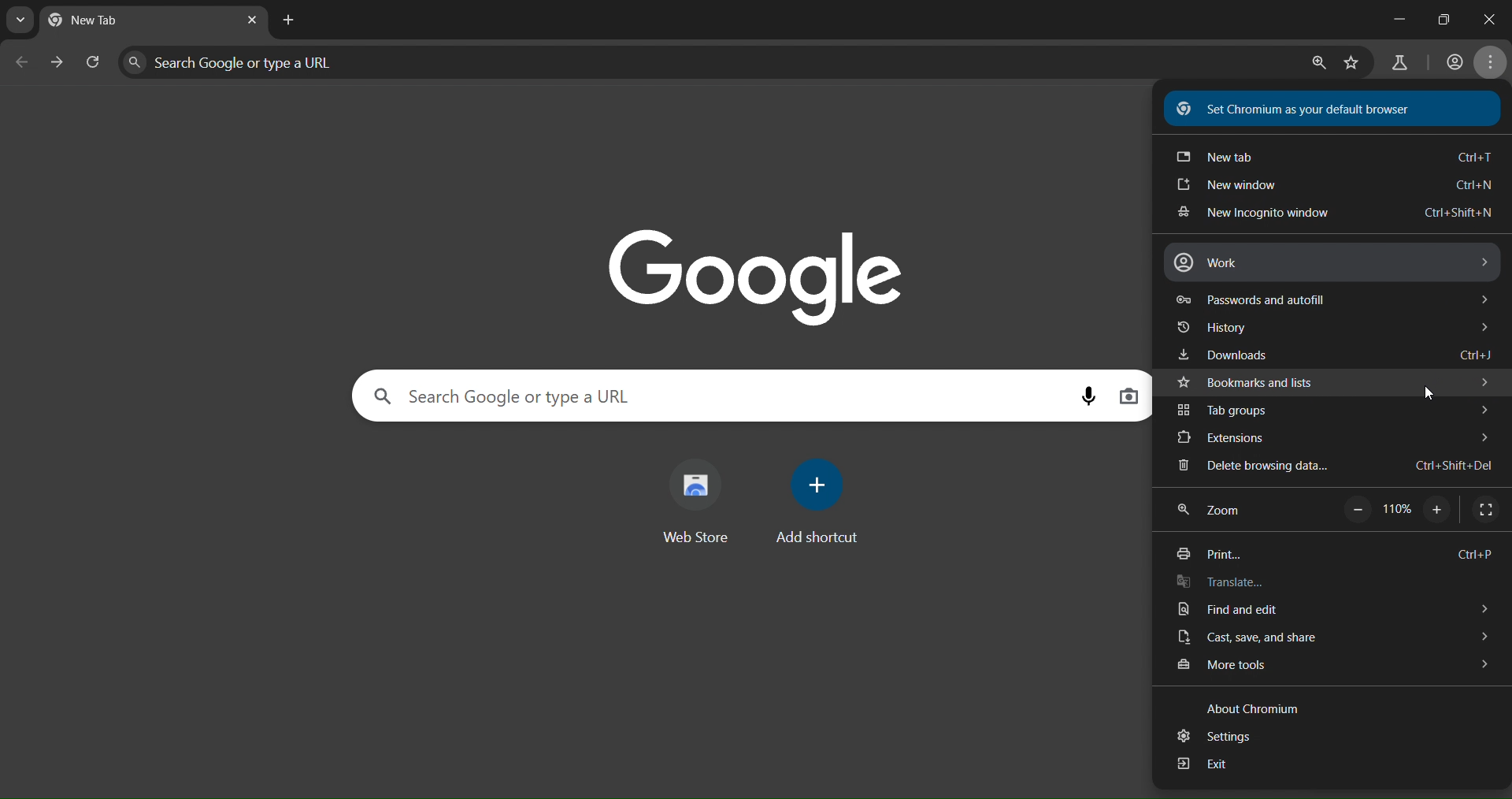 This screenshot has height=799, width=1512. I want to click on add shortcut, so click(821, 500).